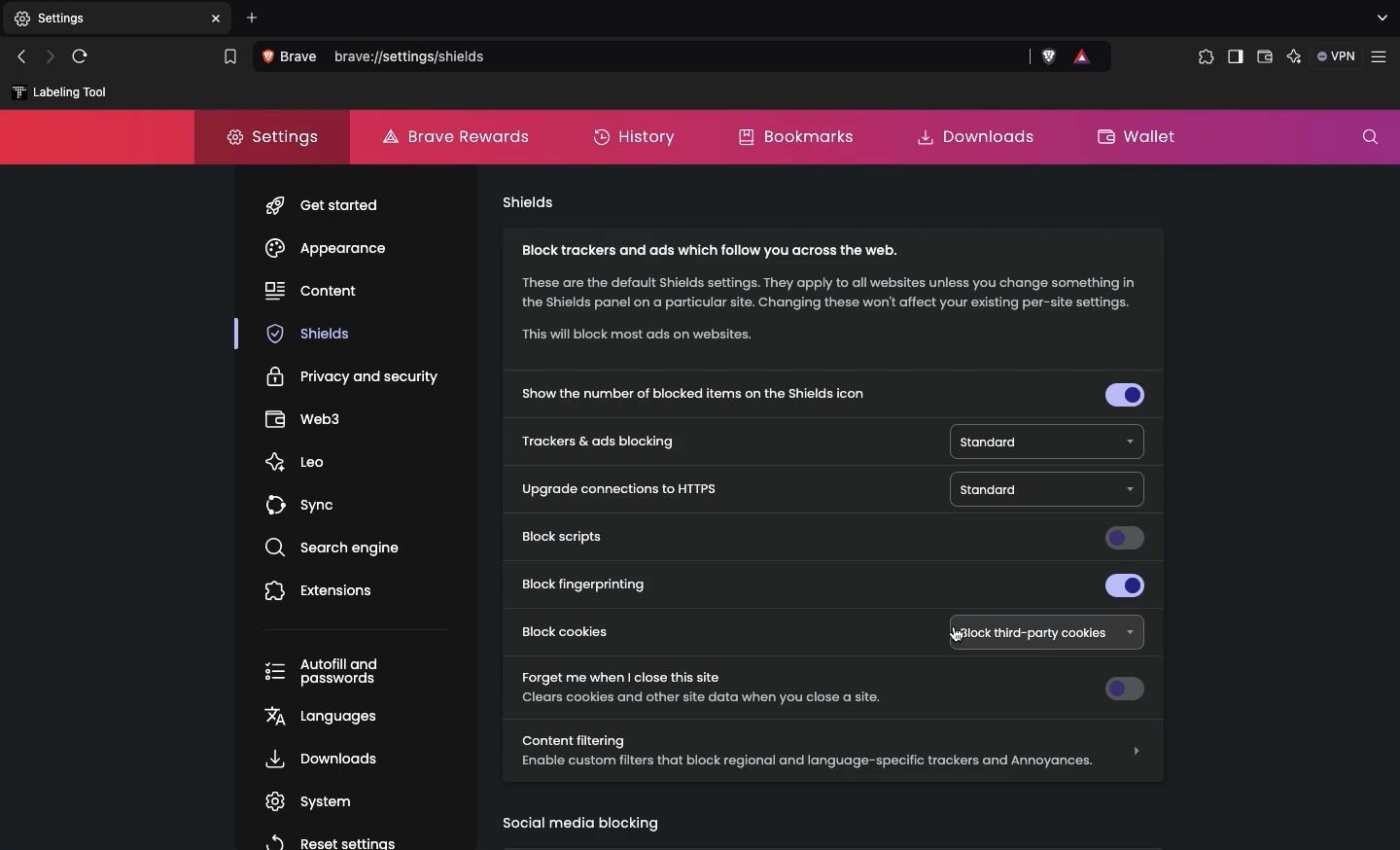  What do you see at coordinates (528, 203) in the screenshot?
I see `Shields` at bounding box center [528, 203].